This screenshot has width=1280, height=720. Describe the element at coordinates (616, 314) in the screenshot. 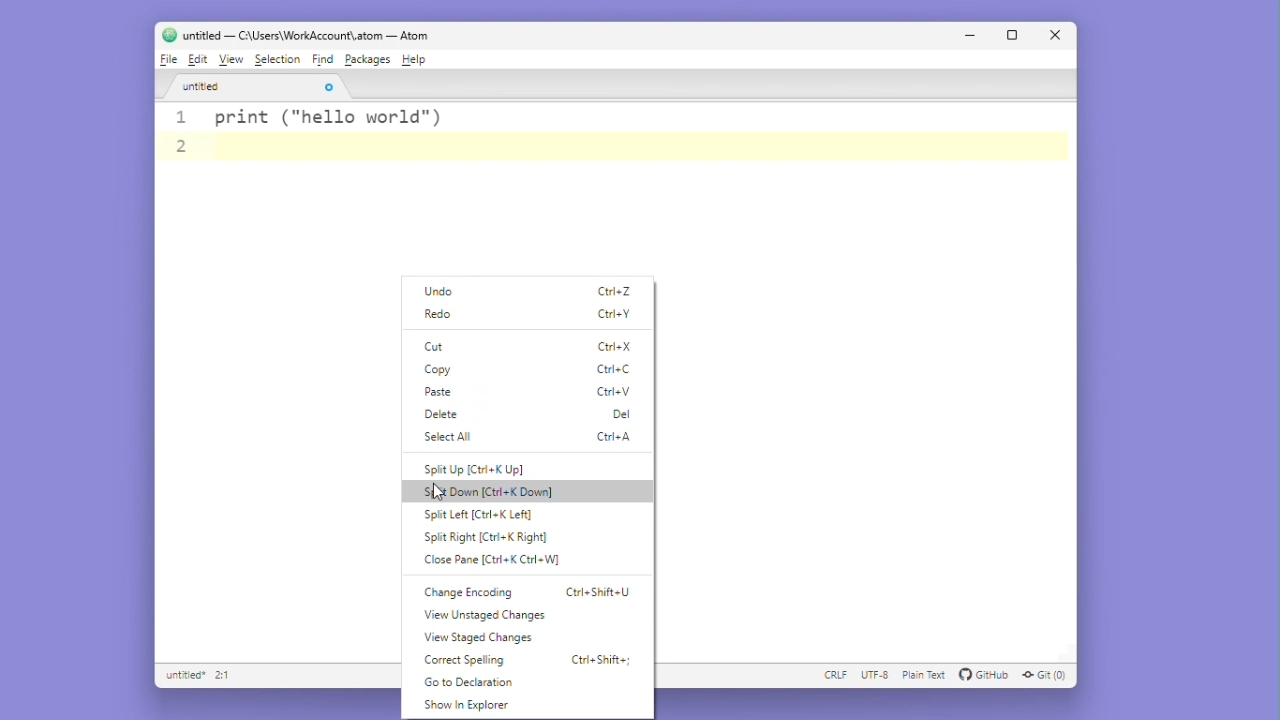

I see `ctrl+y` at that location.